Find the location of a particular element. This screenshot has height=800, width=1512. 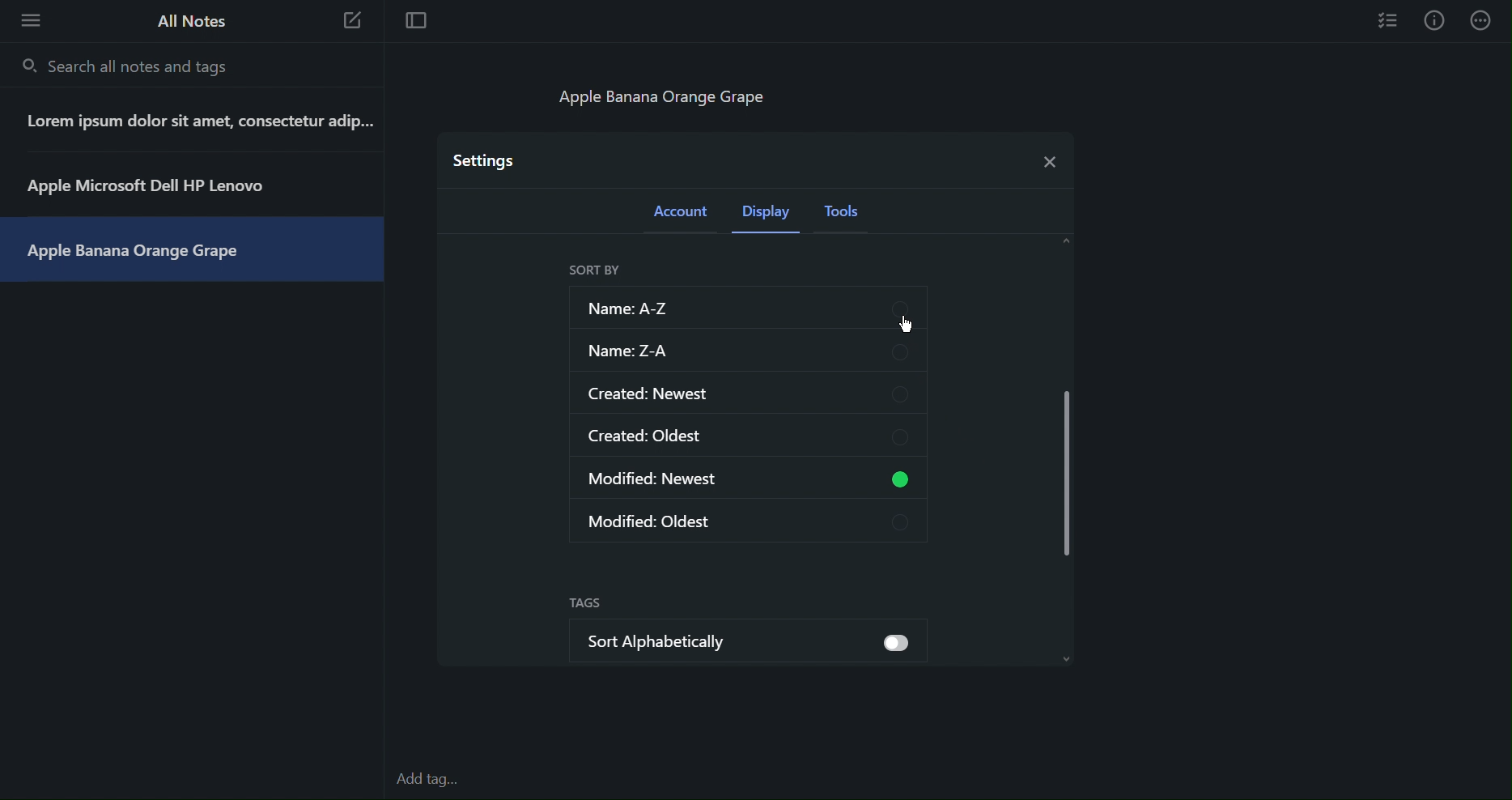

Lorem ipsum dolor sit amet, consectetur adip.. is located at coordinates (193, 124).